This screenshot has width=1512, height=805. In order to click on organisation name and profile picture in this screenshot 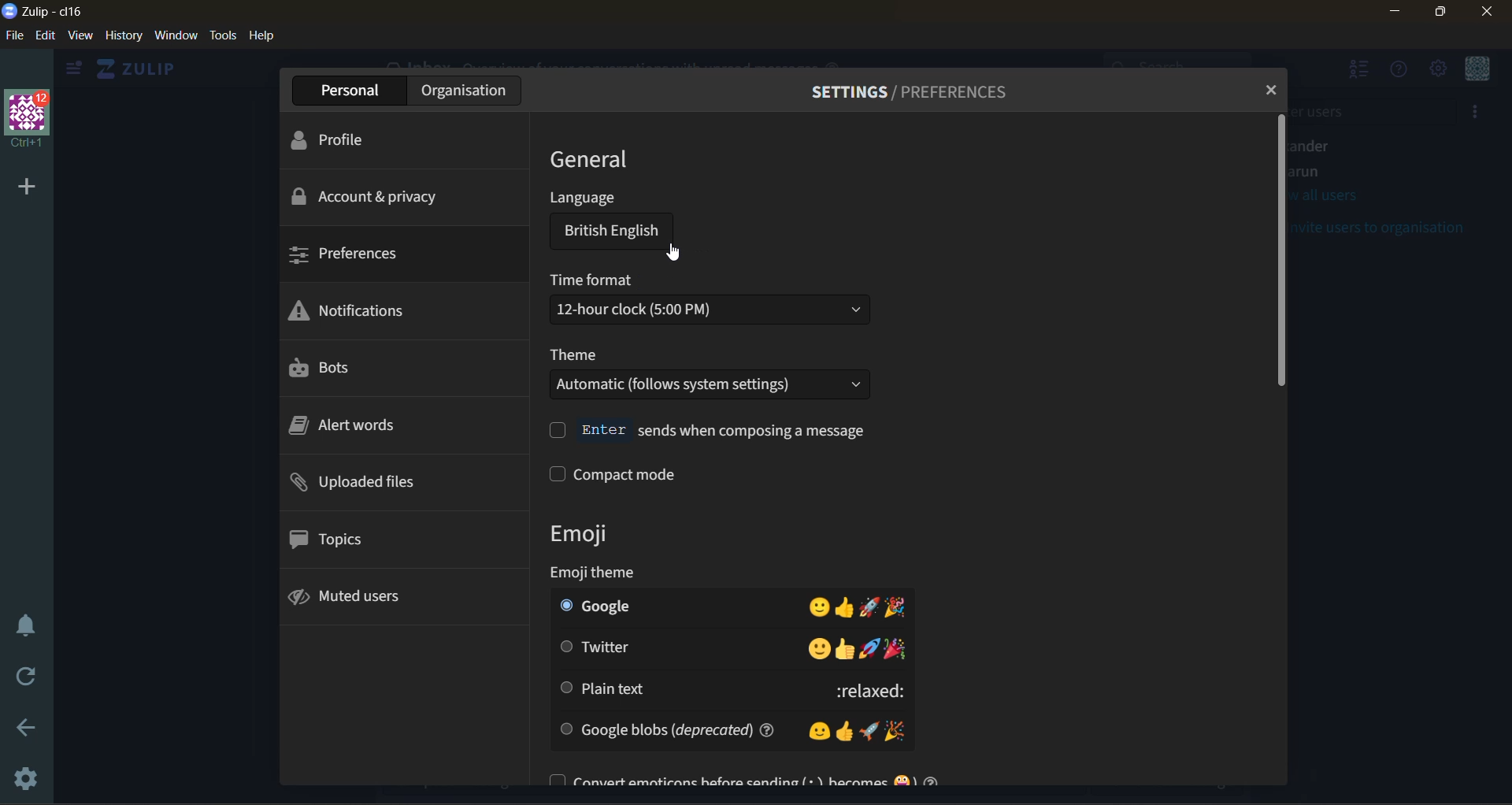, I will do `click(28, 117)`.